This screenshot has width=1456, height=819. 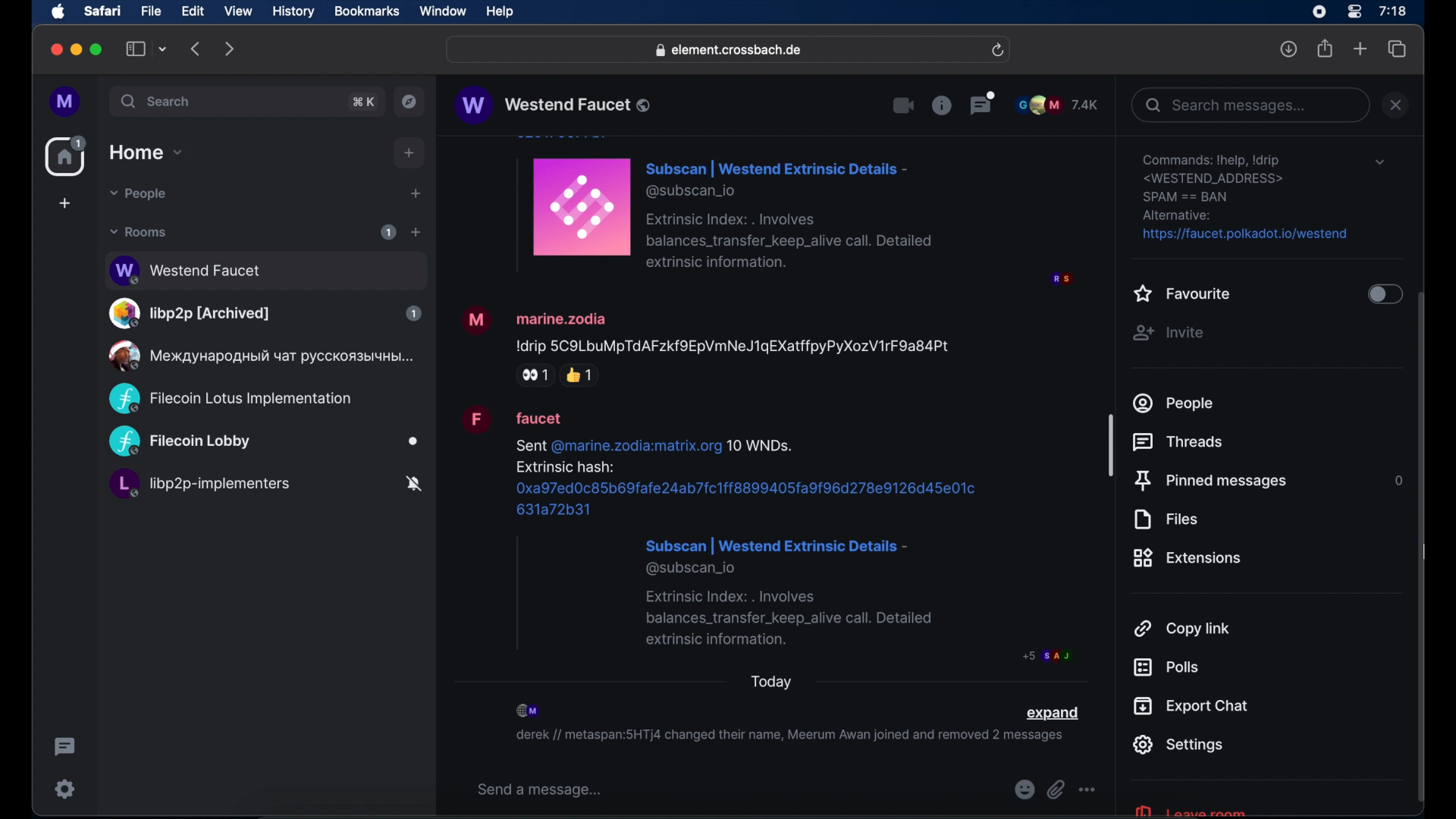 I want to click on settings, so click(x=1178, y=745).